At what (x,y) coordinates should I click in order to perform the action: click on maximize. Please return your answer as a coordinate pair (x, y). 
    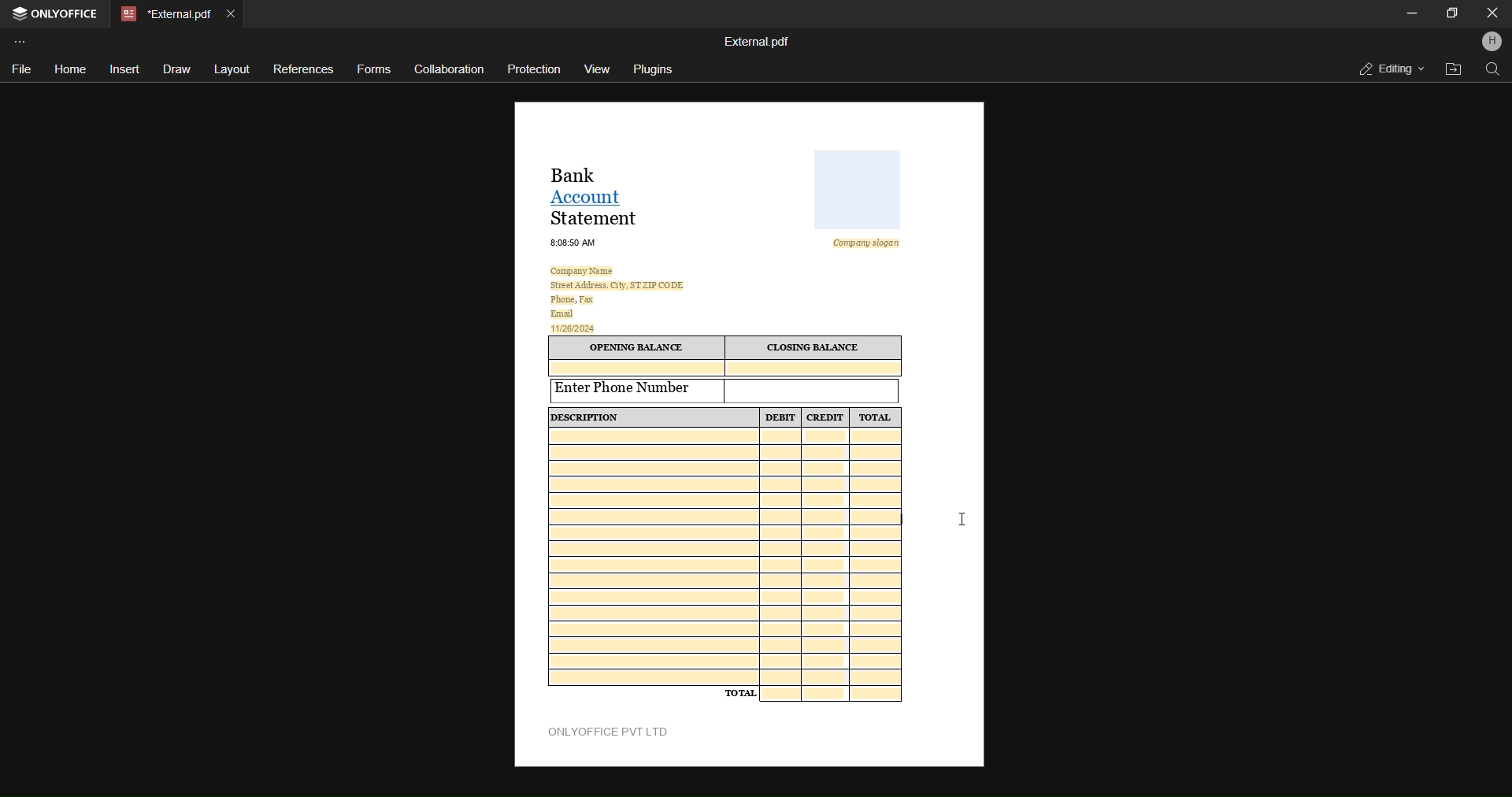
    Looking at the image, I should click on (1452, 12).